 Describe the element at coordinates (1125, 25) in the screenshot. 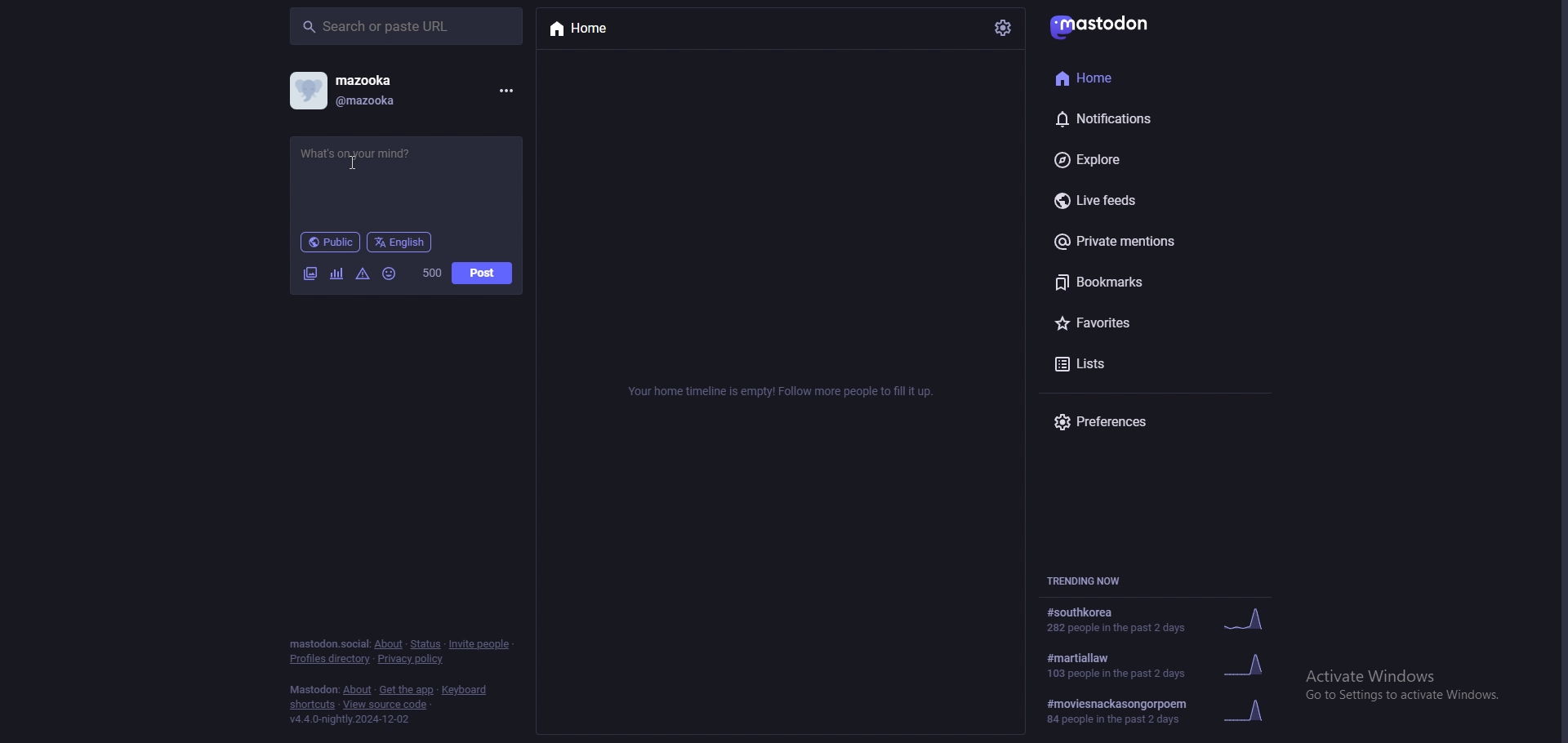

I see `mastodon` at that location.